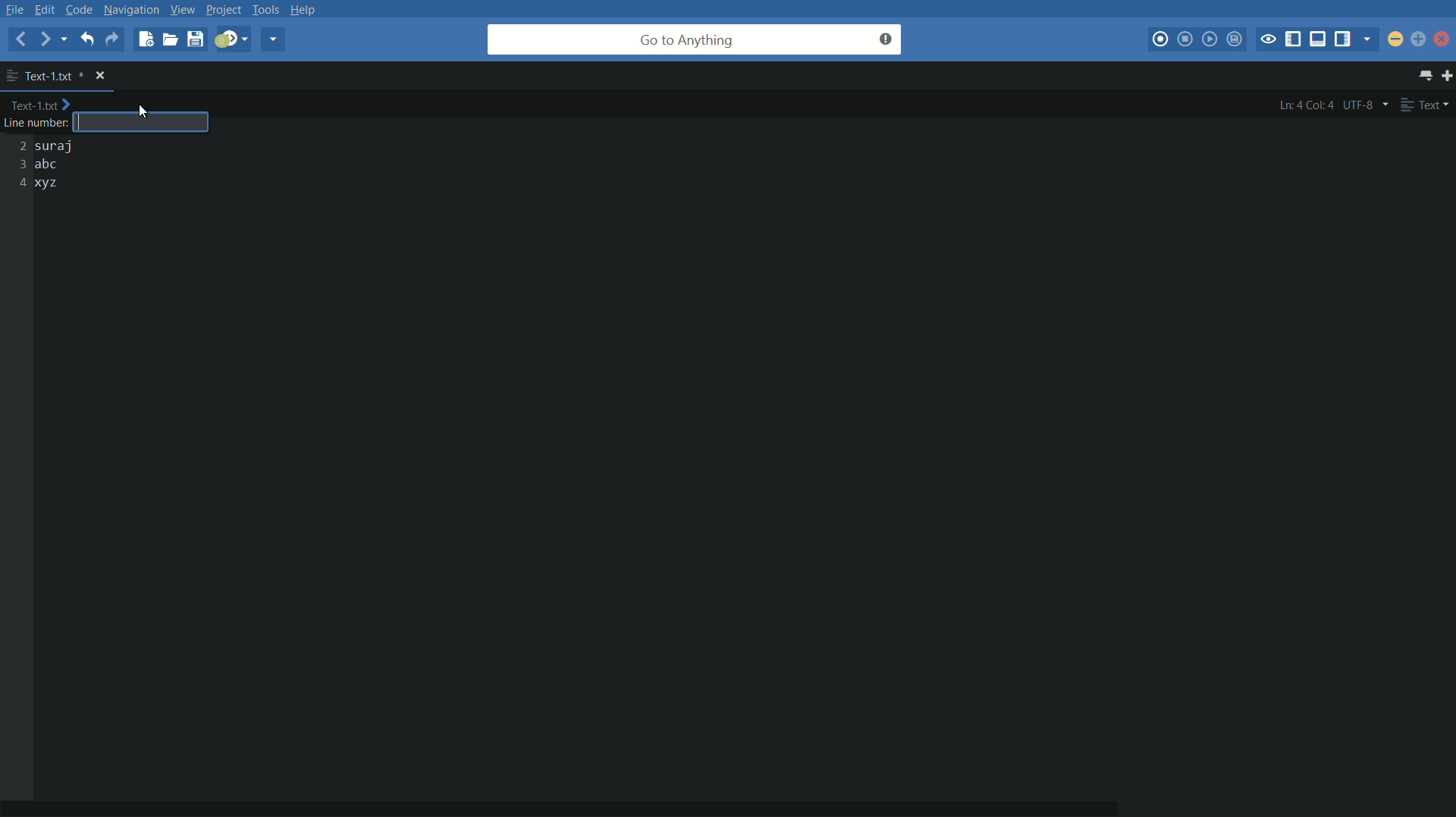  What do you see at coordinates (48, 9) in the screenshot?
I see `edit ` at bounding box center [48, 9].